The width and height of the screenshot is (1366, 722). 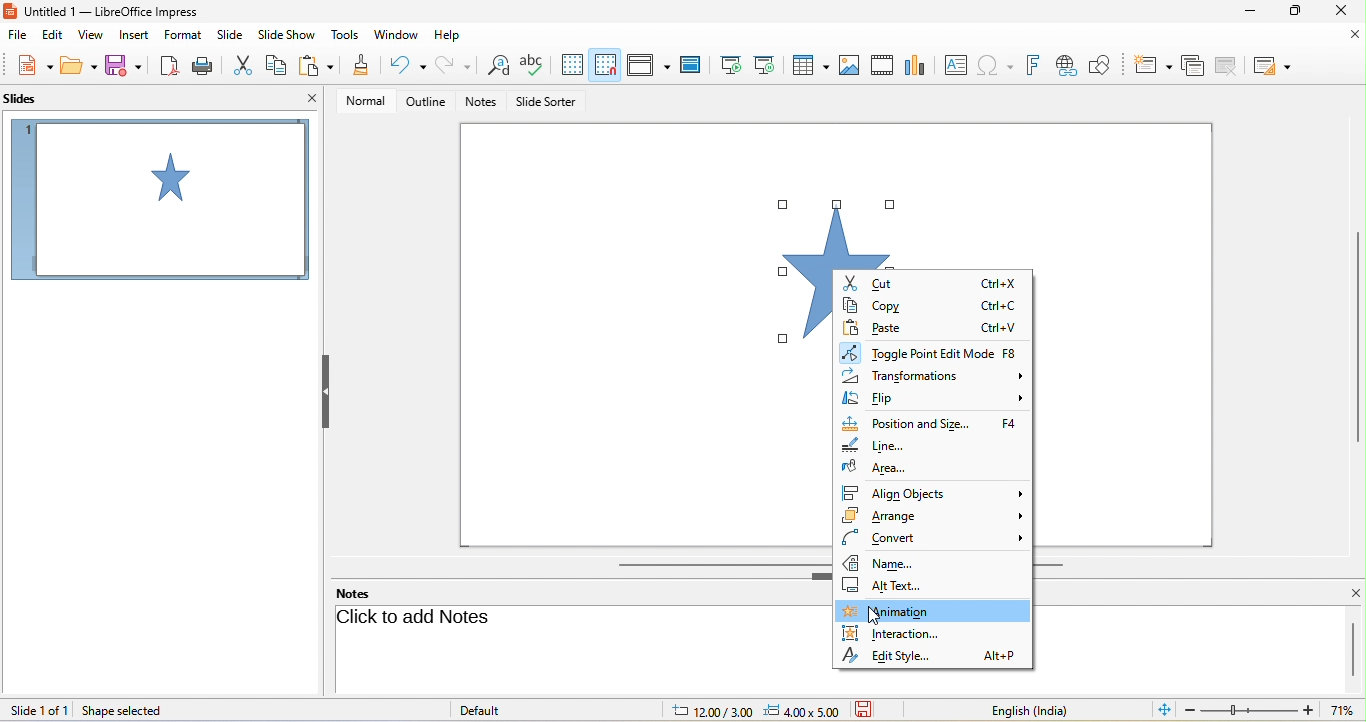 What do you see at coordinates (422, 617) in the screenshot?
I see `click to add note` at bounding box center [422, 617].